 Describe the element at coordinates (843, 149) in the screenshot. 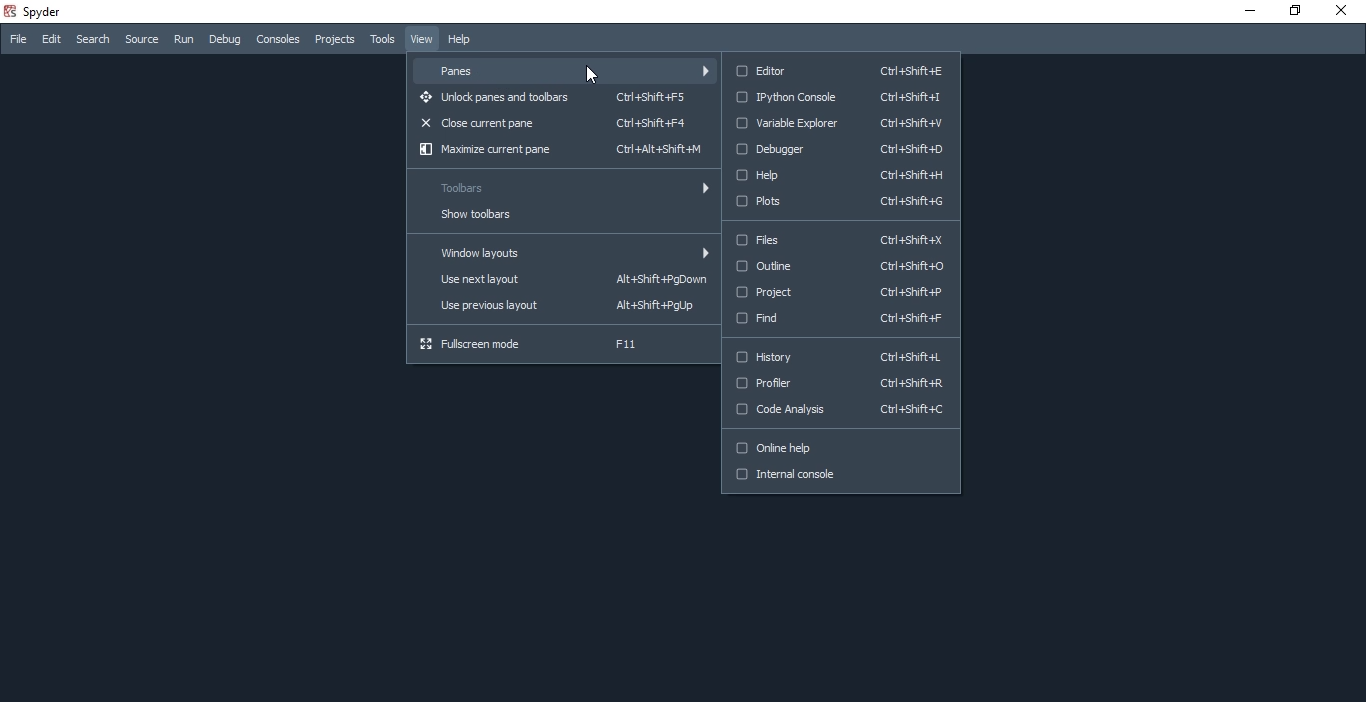

I see `Debugger` at that location.